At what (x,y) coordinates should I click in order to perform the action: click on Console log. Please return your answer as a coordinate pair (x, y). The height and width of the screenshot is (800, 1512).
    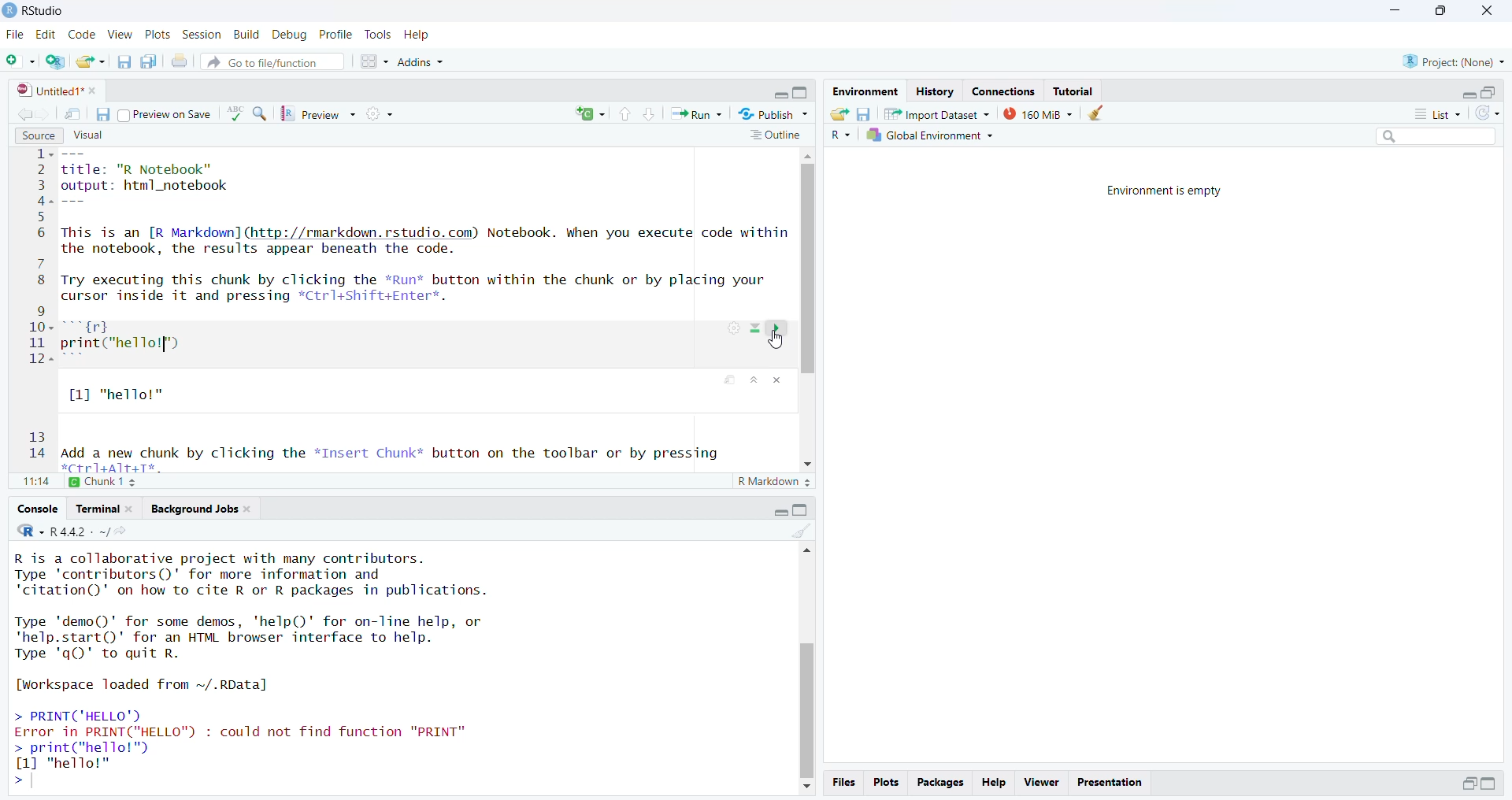
    Looking at the image, I should click on (275, 671).